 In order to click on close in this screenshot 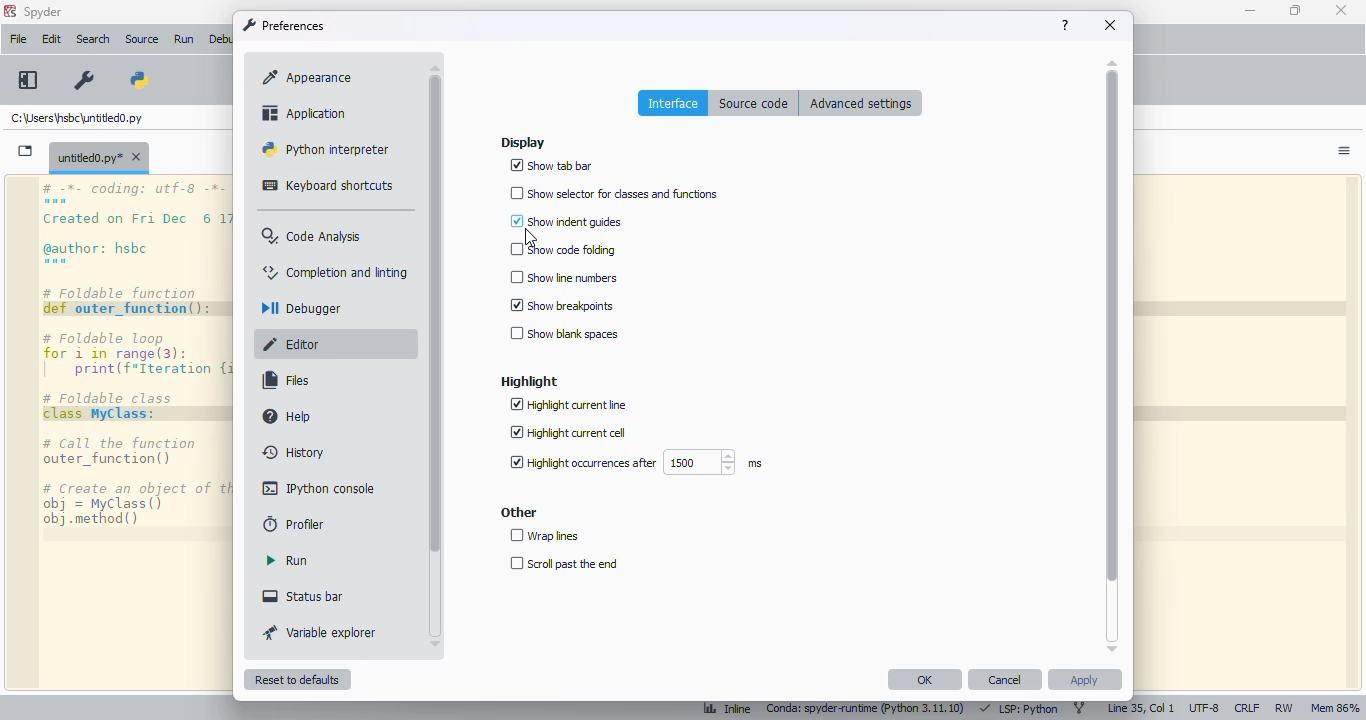, I will do `click(1110, 25)`.